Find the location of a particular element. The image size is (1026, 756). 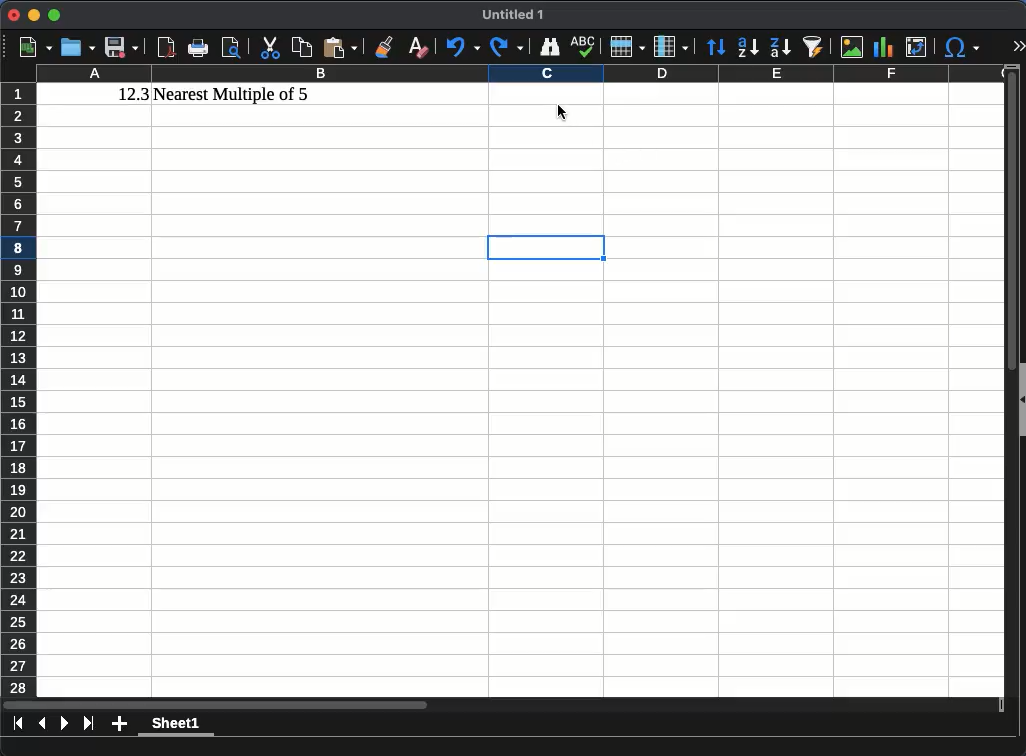

12.3 is located at coordinates (134, 94).